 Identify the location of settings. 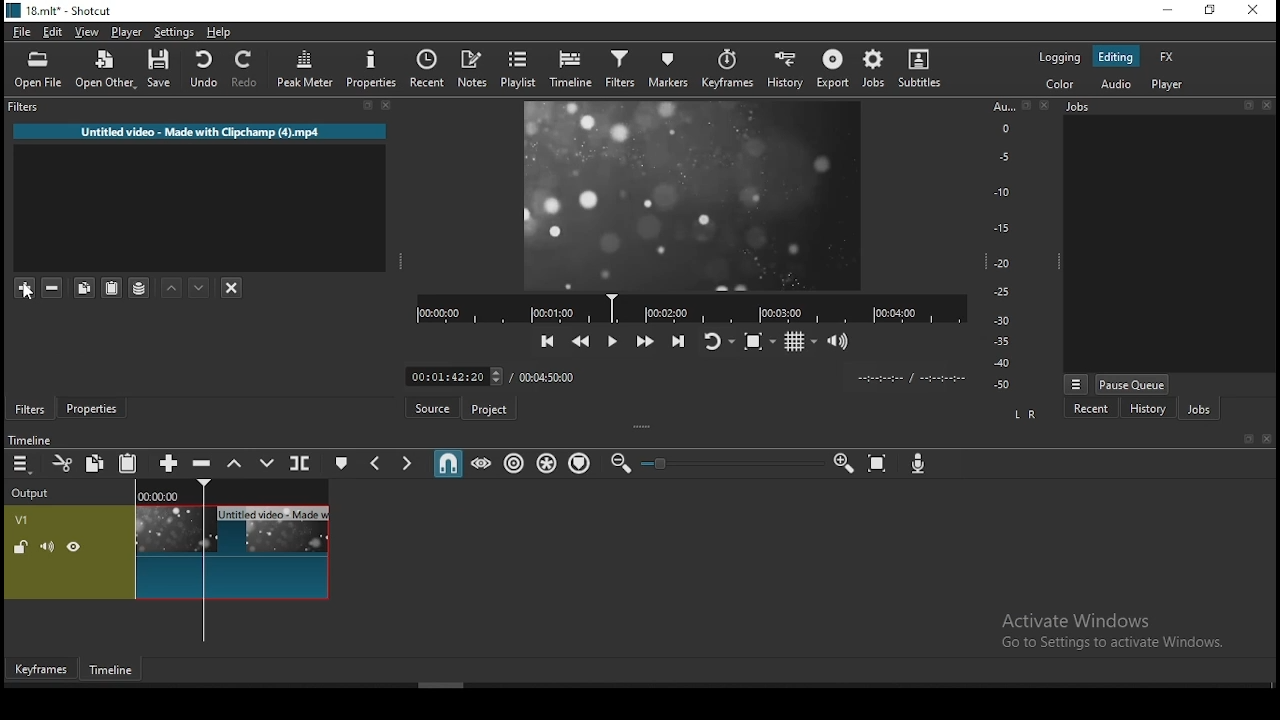
(173, 33).